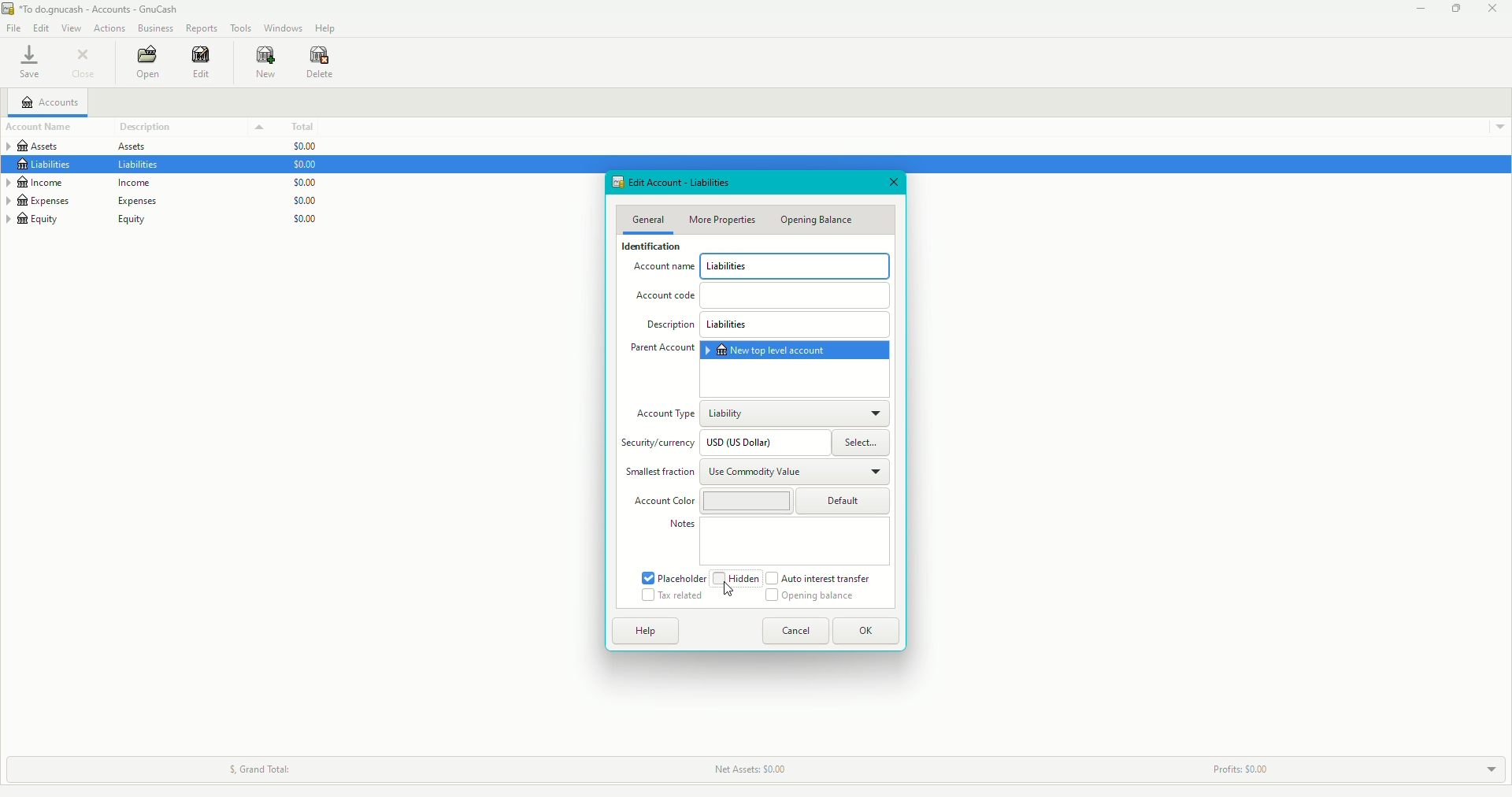 The width and height of the screenshot is (1512, 797). I want to click on More Properties, so click(723, 220).